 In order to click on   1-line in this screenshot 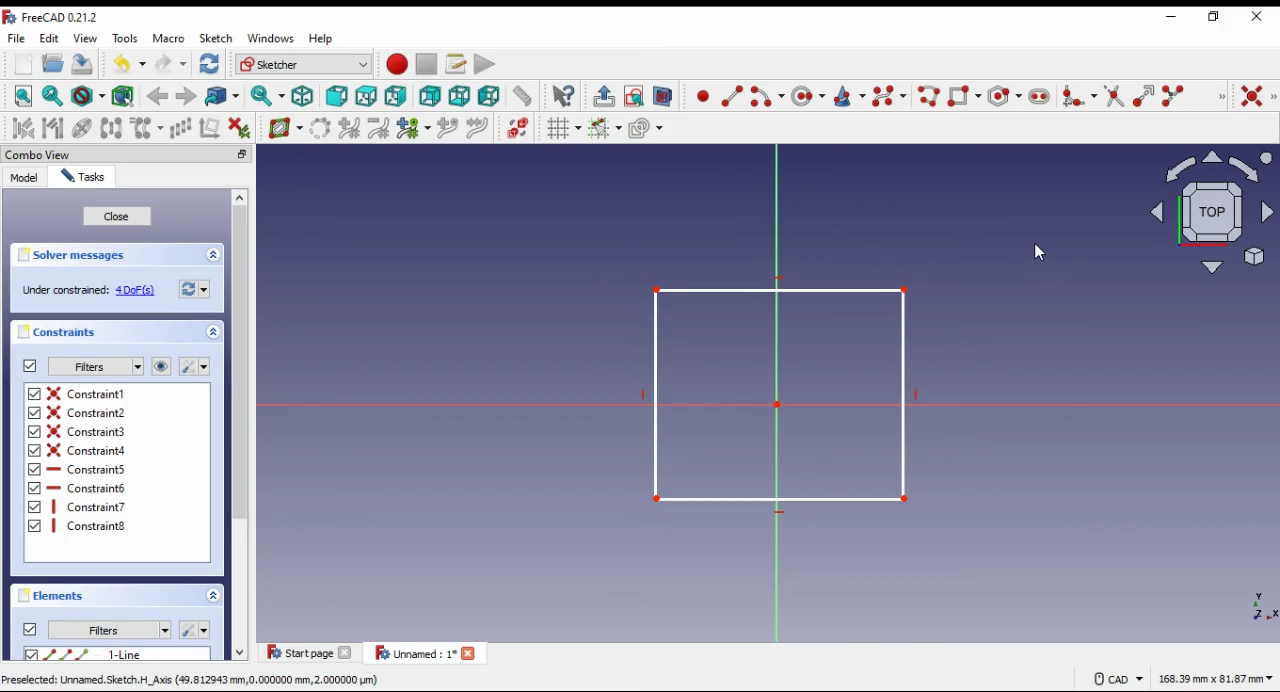, I will do `click(129, 654)`.